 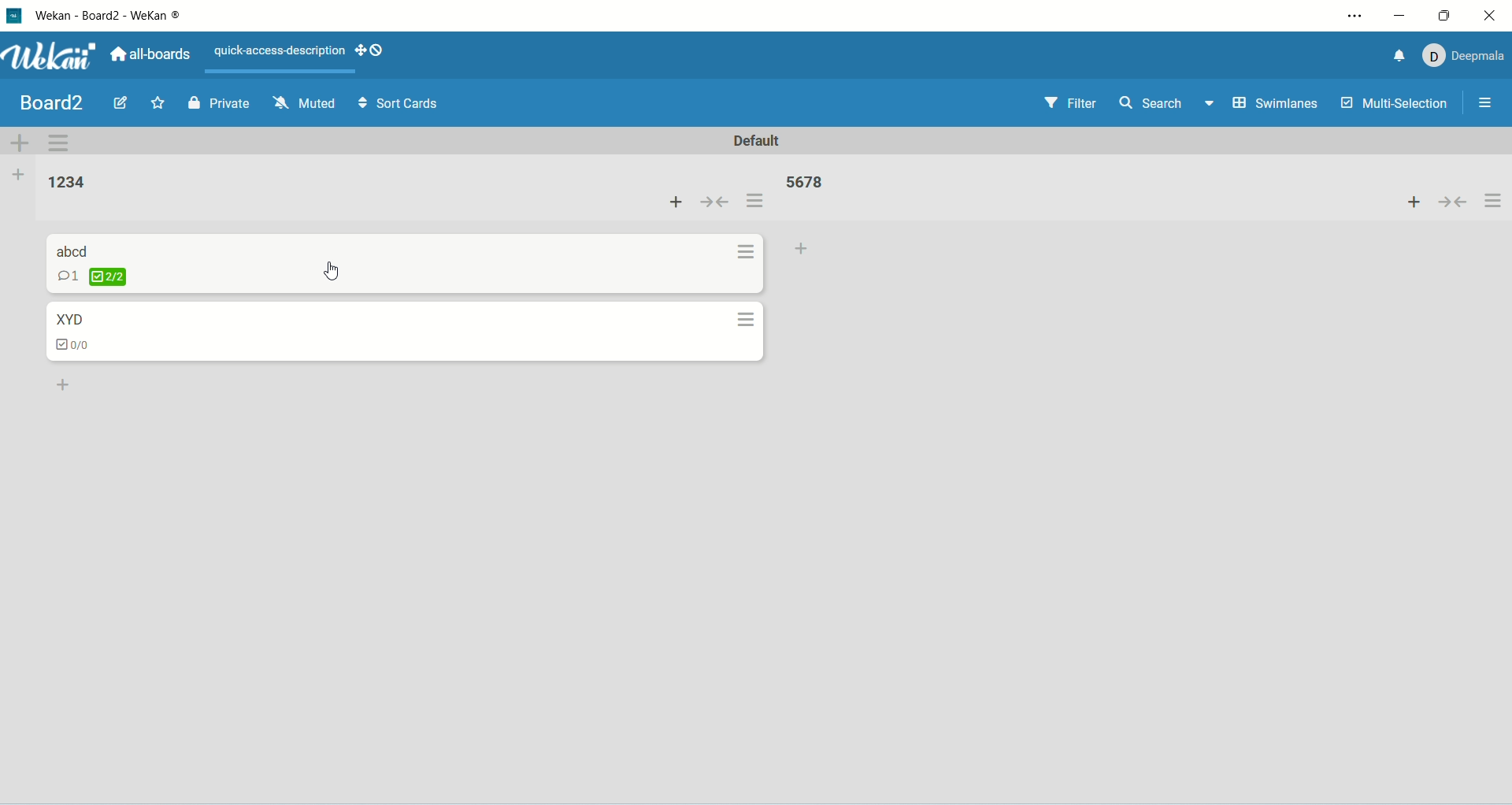 I want to click on wekan, so click(x=49, y=57).